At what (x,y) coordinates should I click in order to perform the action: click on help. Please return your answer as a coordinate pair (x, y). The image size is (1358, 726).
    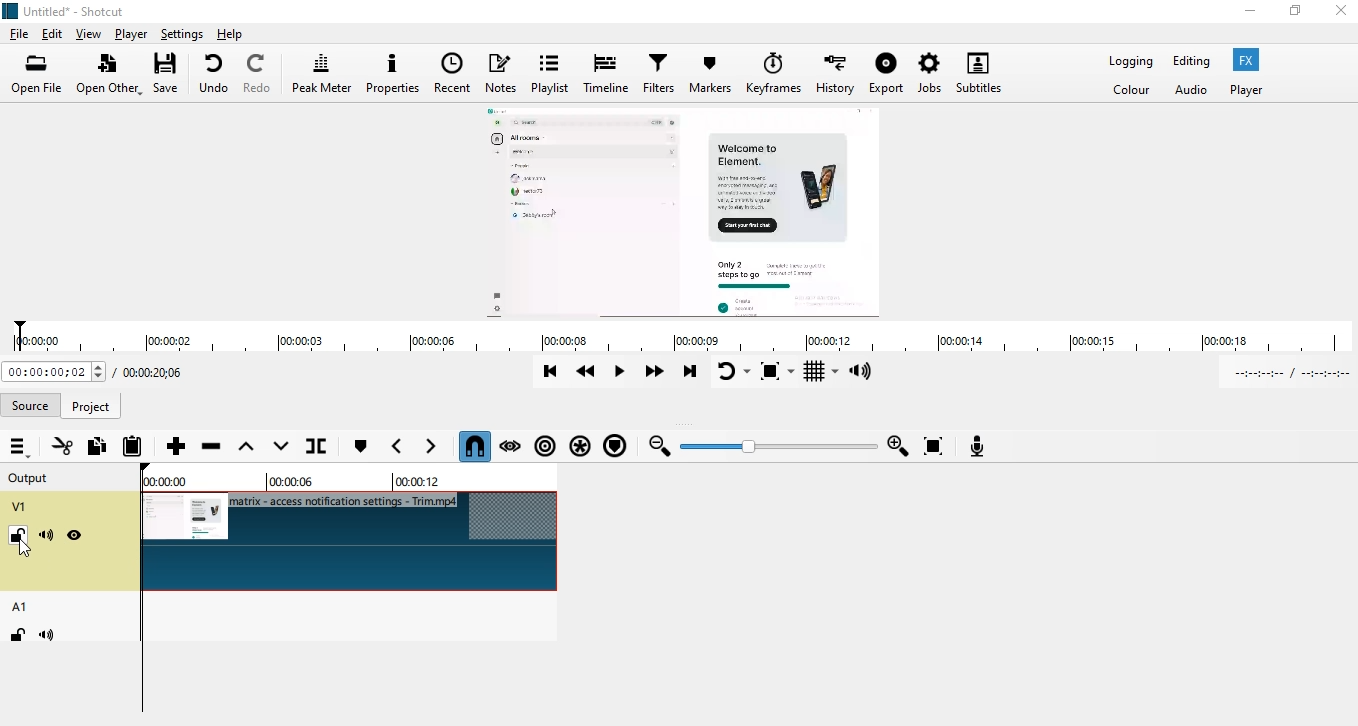
    Looking at the image, I should click on (245, 34).